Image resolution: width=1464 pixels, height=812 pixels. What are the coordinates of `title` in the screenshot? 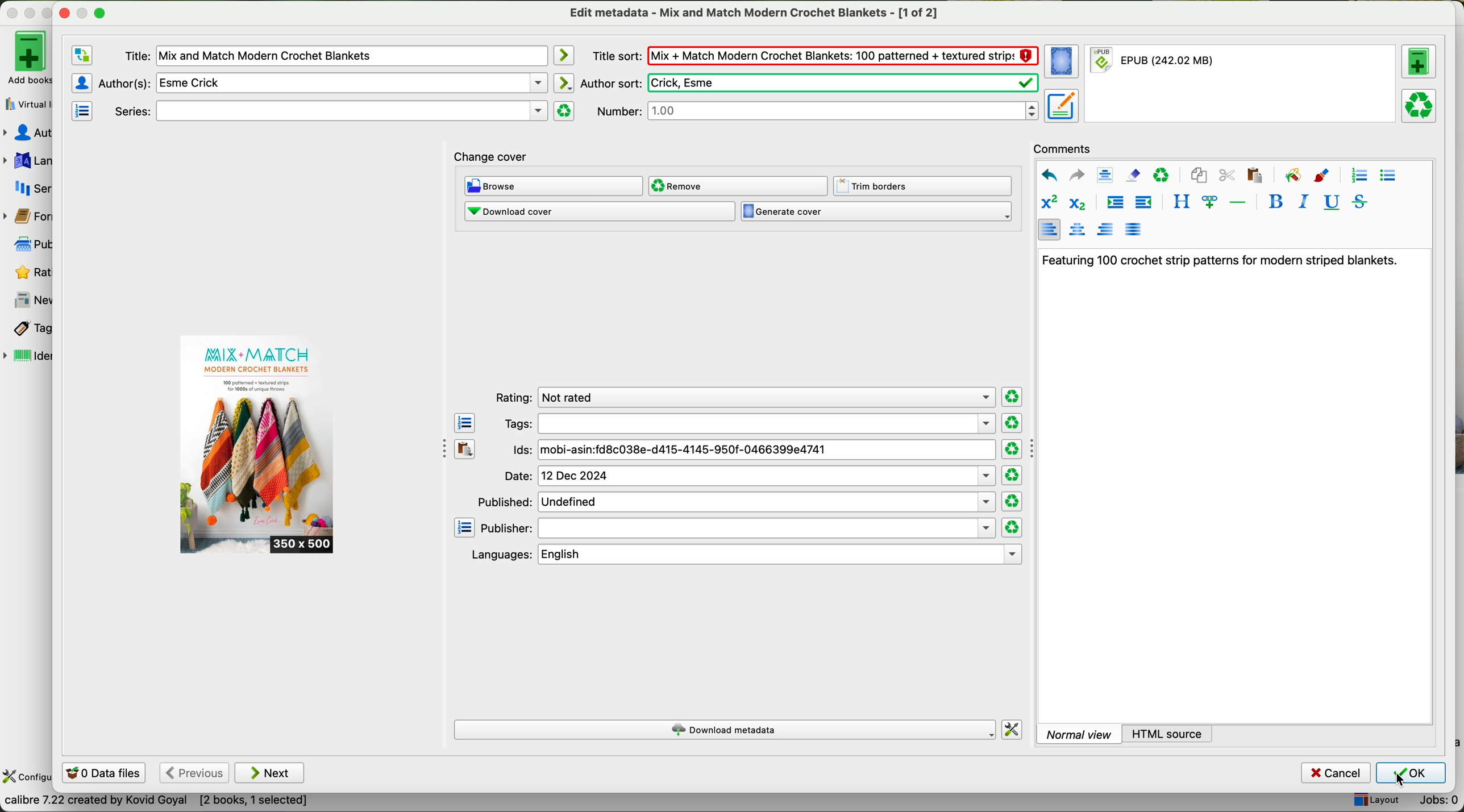 It's located at (335, 56).